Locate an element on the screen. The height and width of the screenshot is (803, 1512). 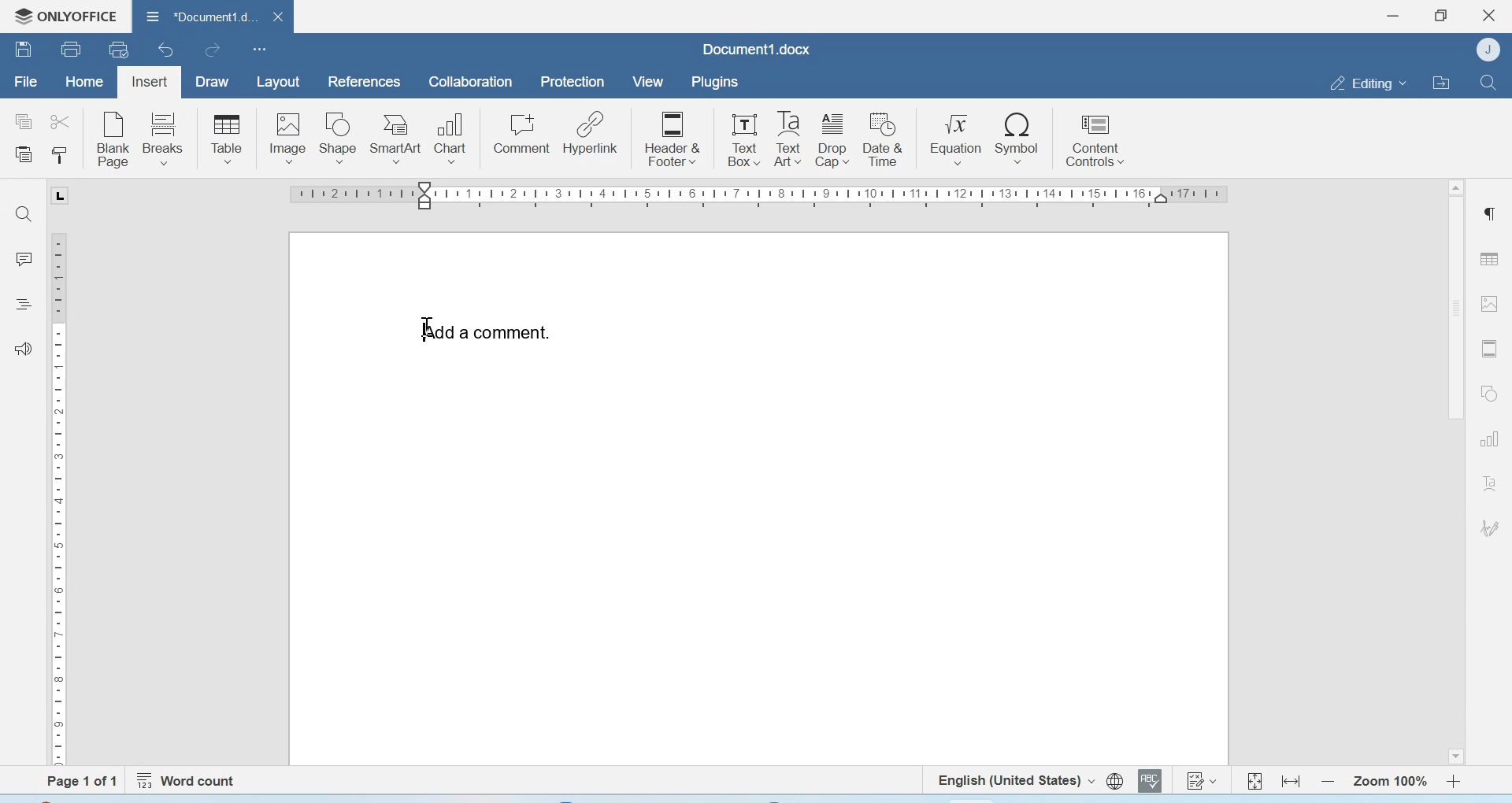
Headings is located at coordinates (23, 306).